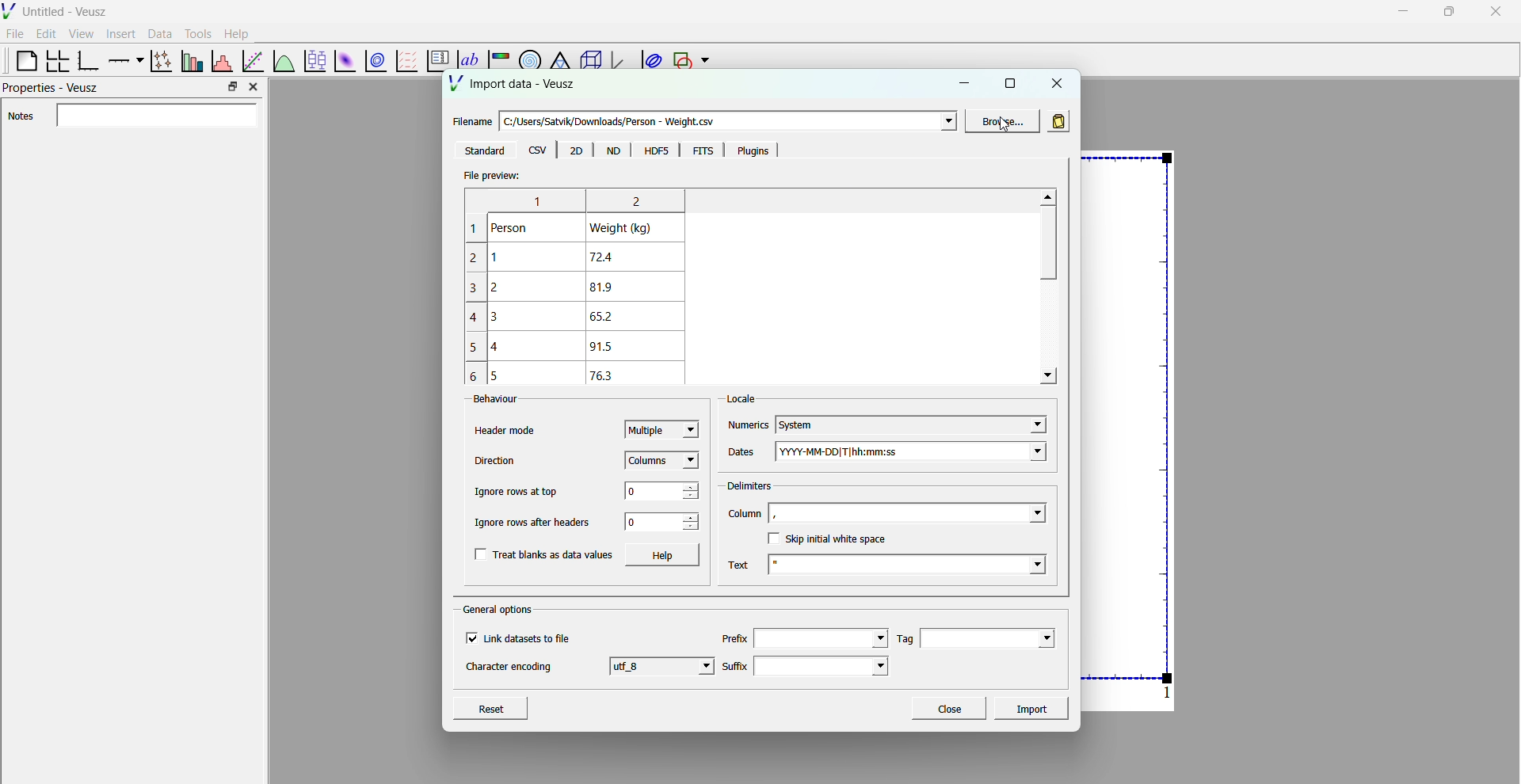 This screenshot has height=784, width=1521. What do you see at coordinates (405, 60) in the screenshot?
I see `plot a vector table` at bounding box center [405, 60].